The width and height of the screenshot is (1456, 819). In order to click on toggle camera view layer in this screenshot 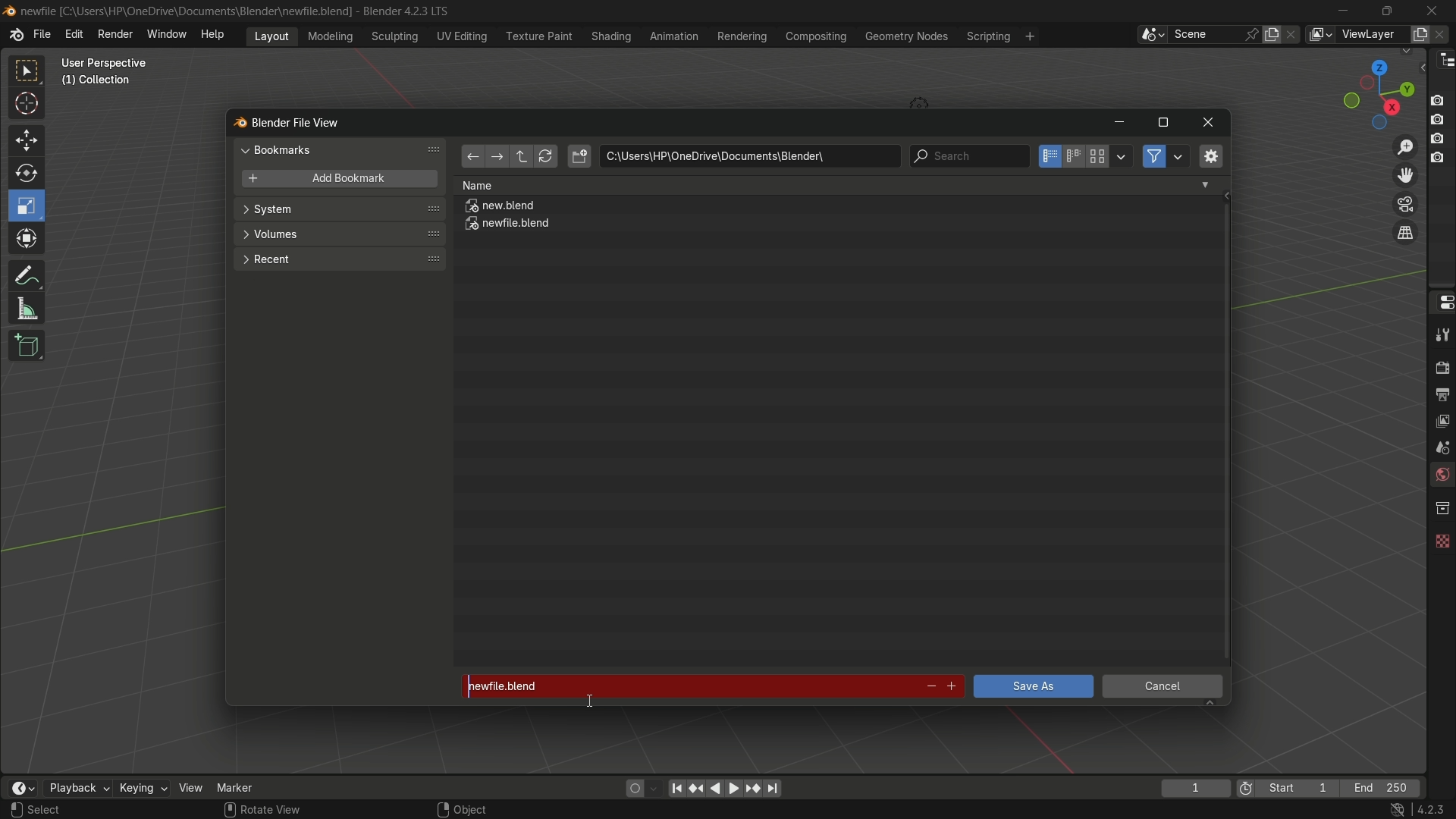, I will do `click(1405, 202)`.